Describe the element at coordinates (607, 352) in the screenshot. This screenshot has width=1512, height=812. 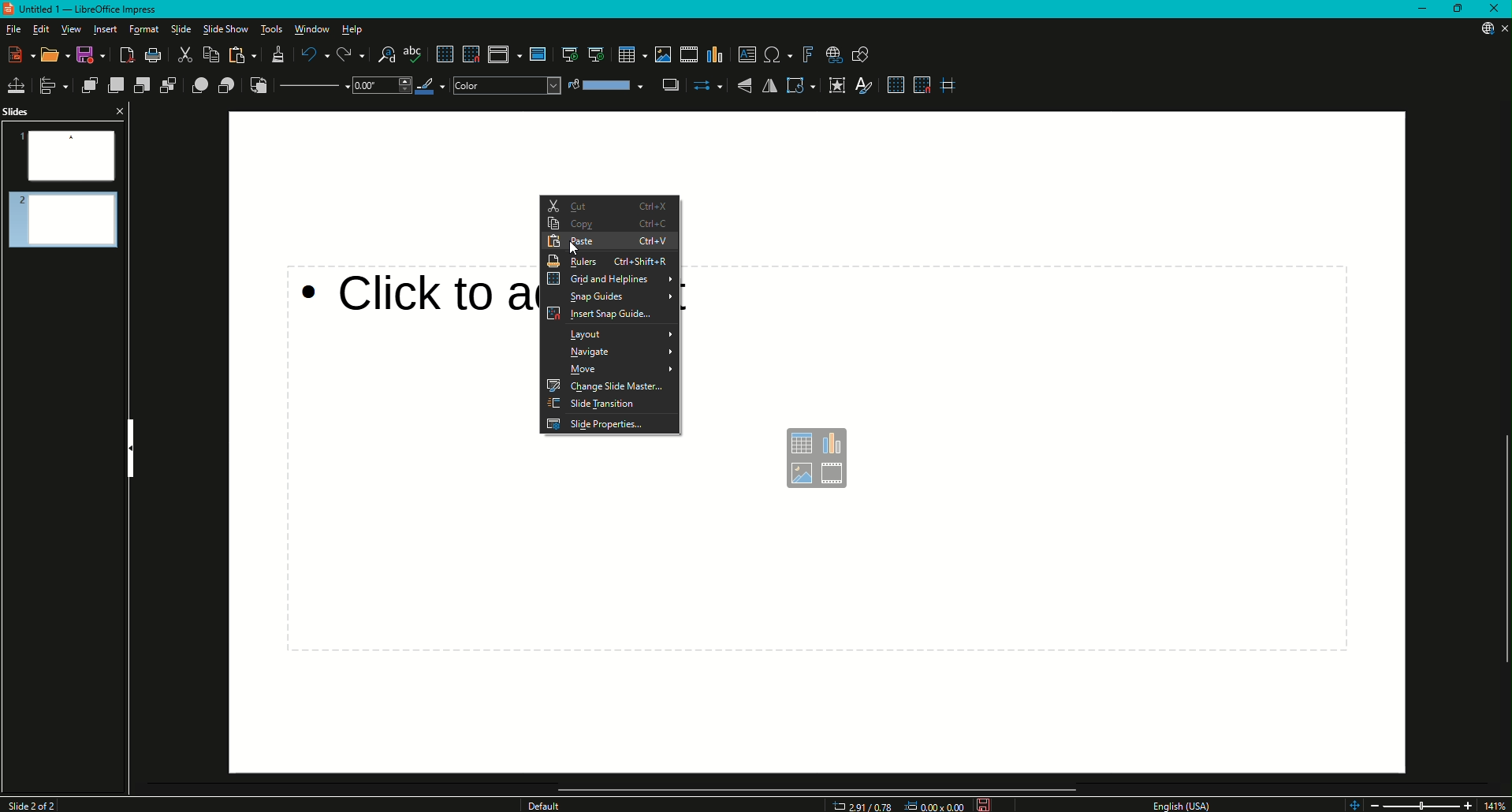
I see `Navigate` at that location.